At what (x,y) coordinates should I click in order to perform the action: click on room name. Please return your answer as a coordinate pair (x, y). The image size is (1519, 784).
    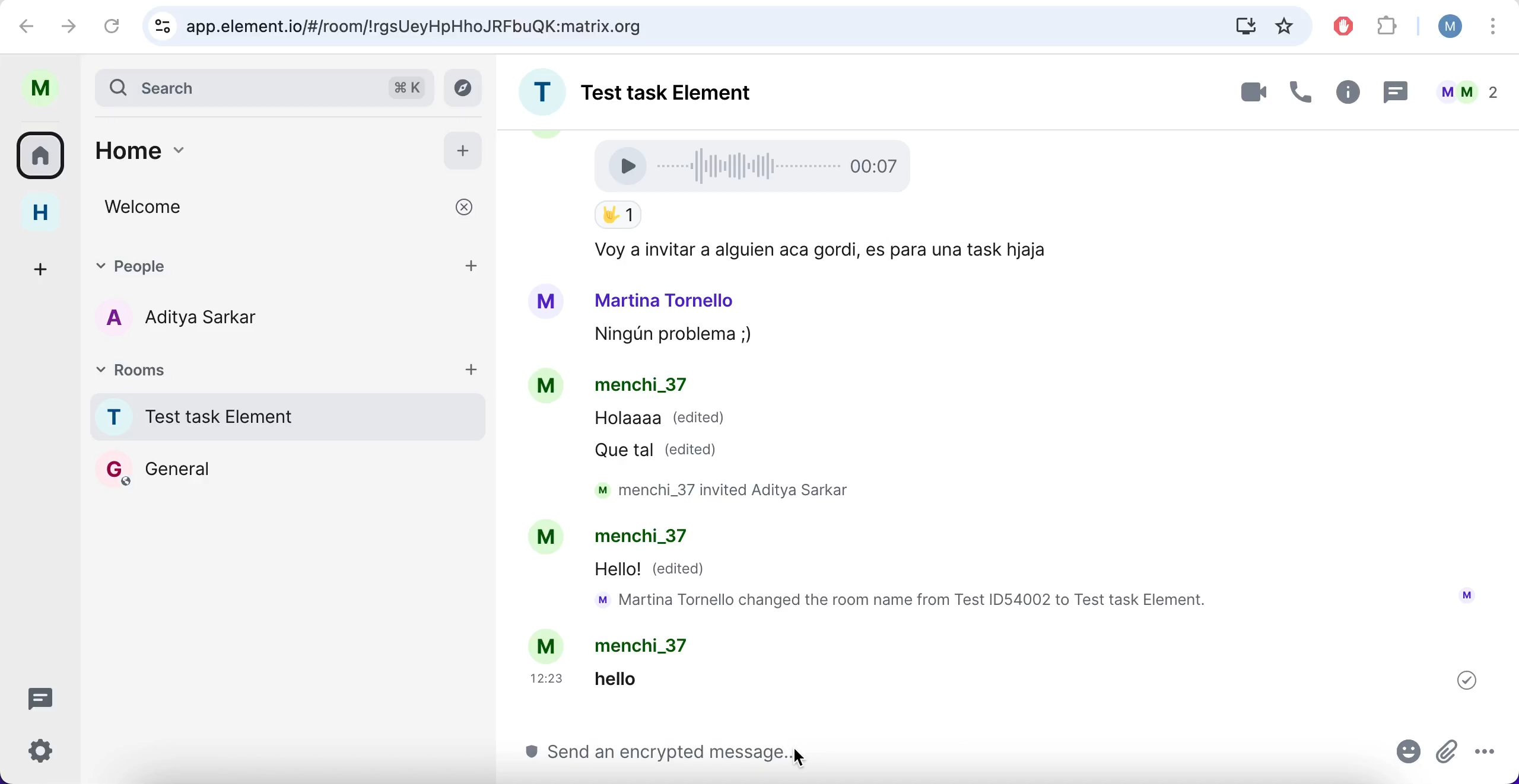
    Looking at the image, I should click on (659, 88).